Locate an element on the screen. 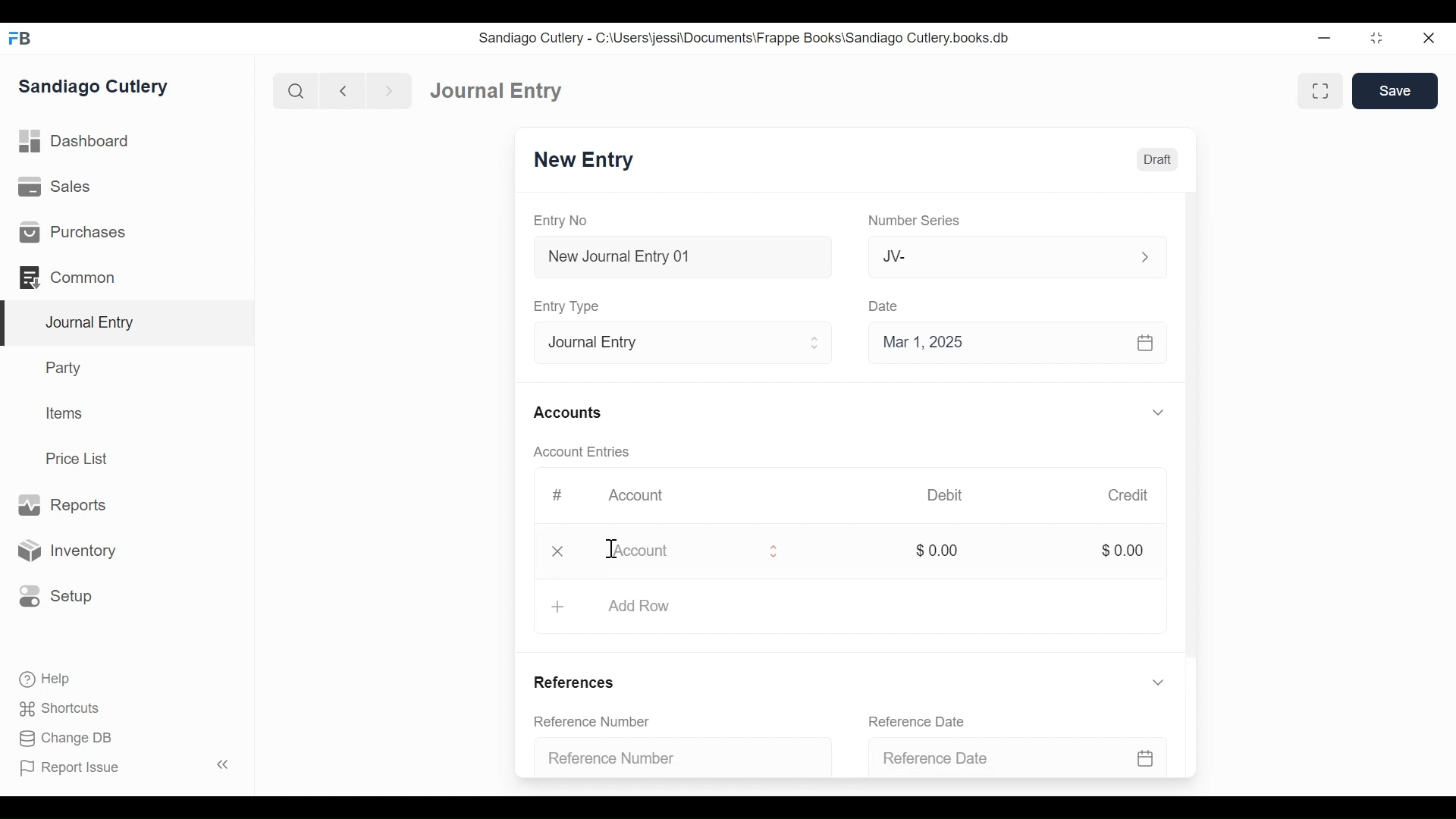 The width and height of the screenshot is (1456, 819). Jv- is located at coordinates (1007, 257).